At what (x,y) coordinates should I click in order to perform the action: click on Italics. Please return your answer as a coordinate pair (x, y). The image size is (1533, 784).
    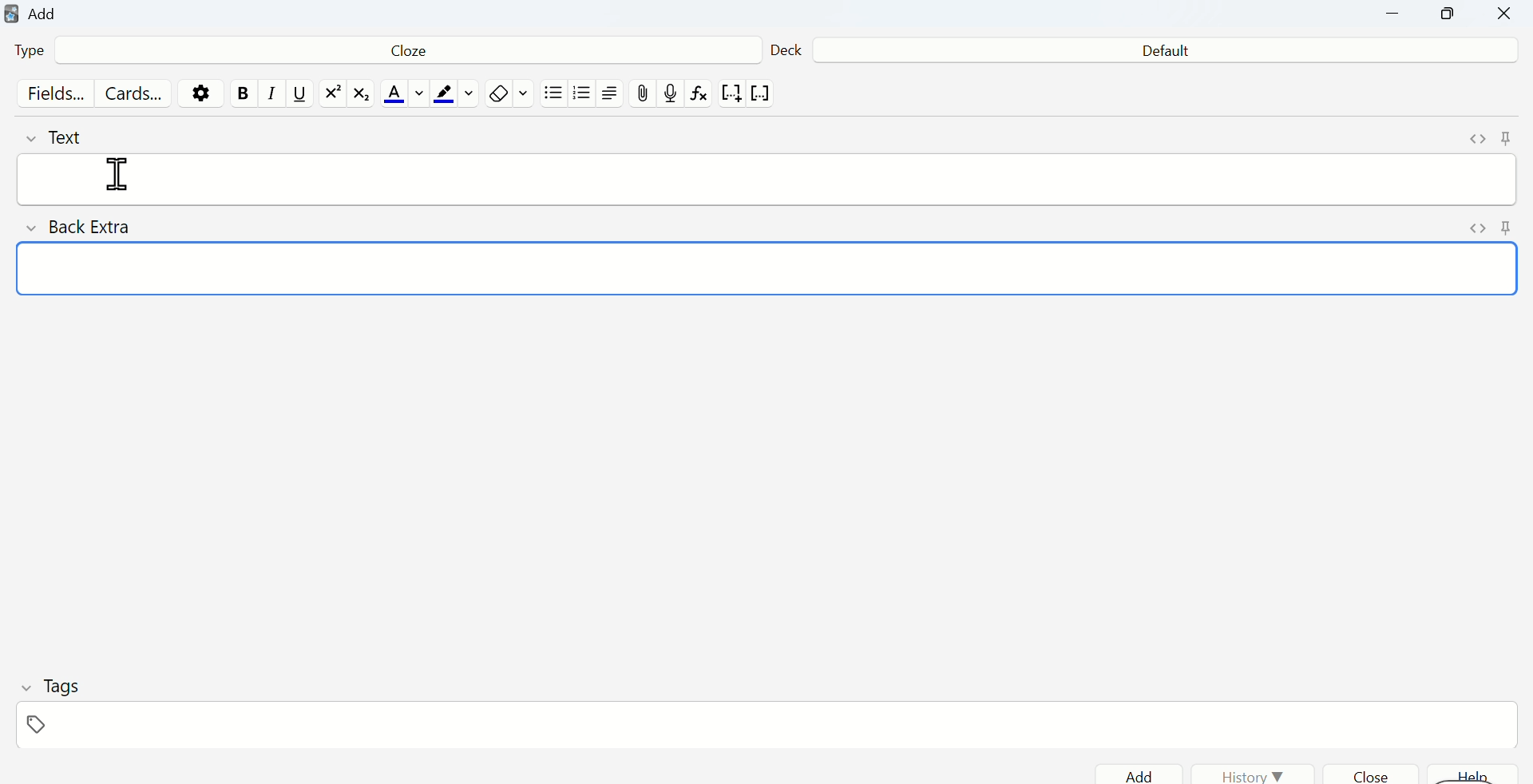
    Looking at the image, I should click on (267, 98).